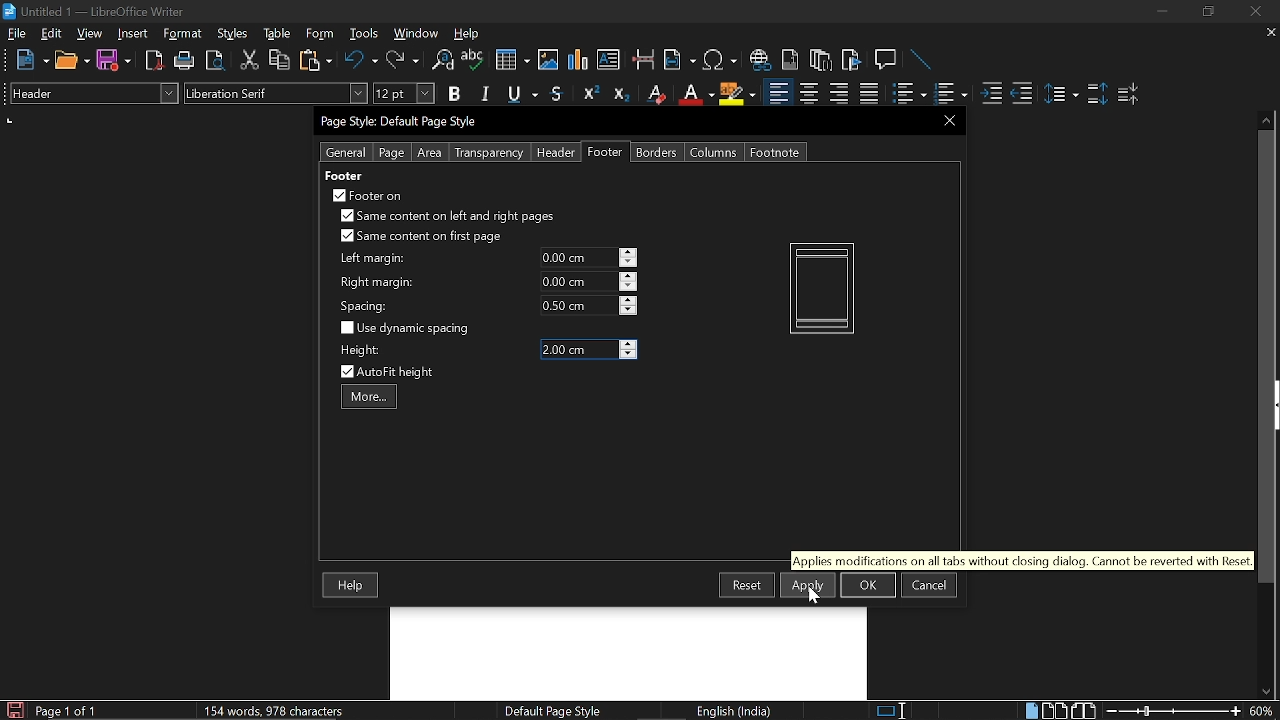 The image size is (1280, 720). I want to click on Footnote, so click(774, 152).